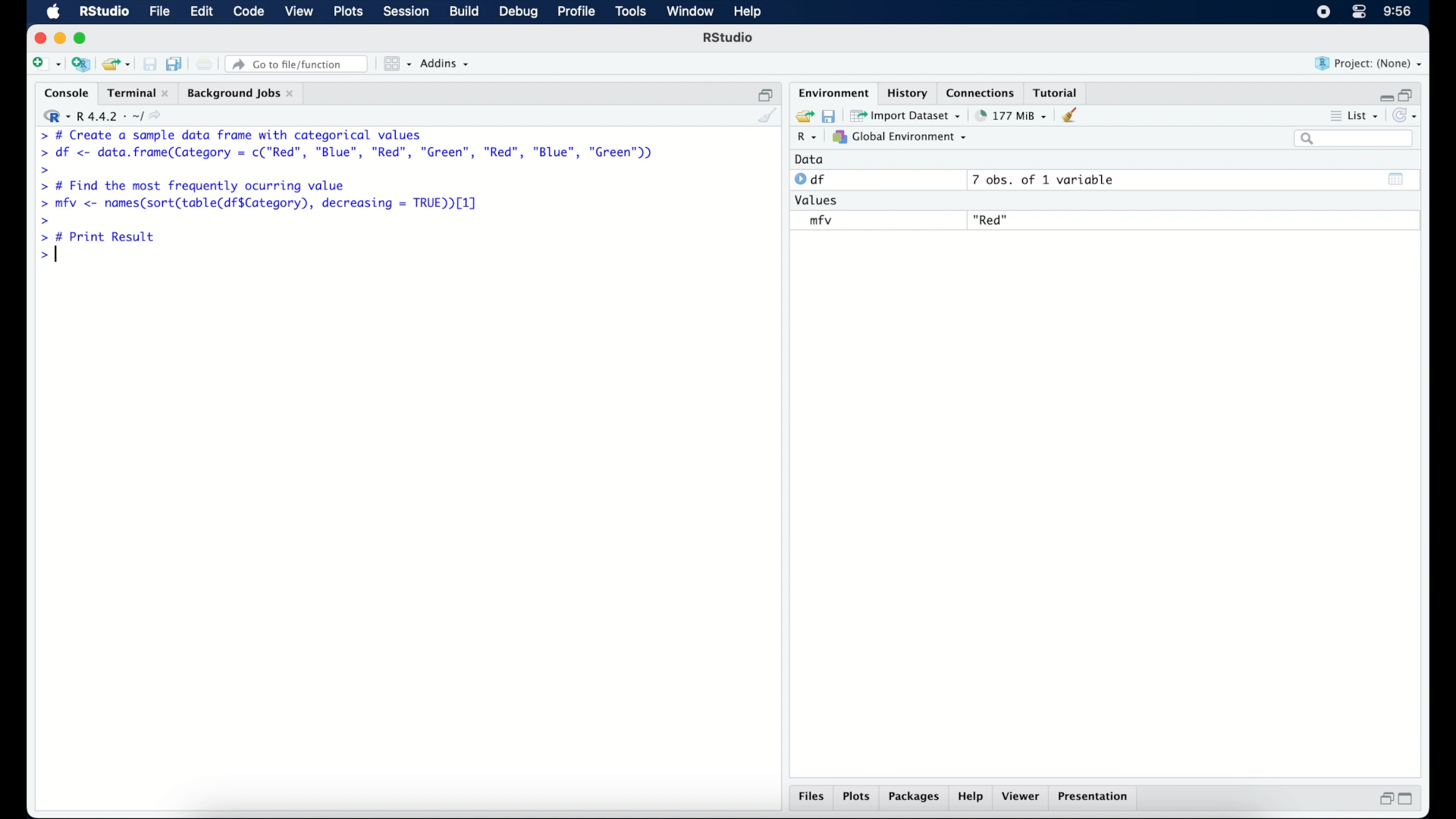 The image size is (1456, 819). I want to click on import dataset, so click(907, 115).